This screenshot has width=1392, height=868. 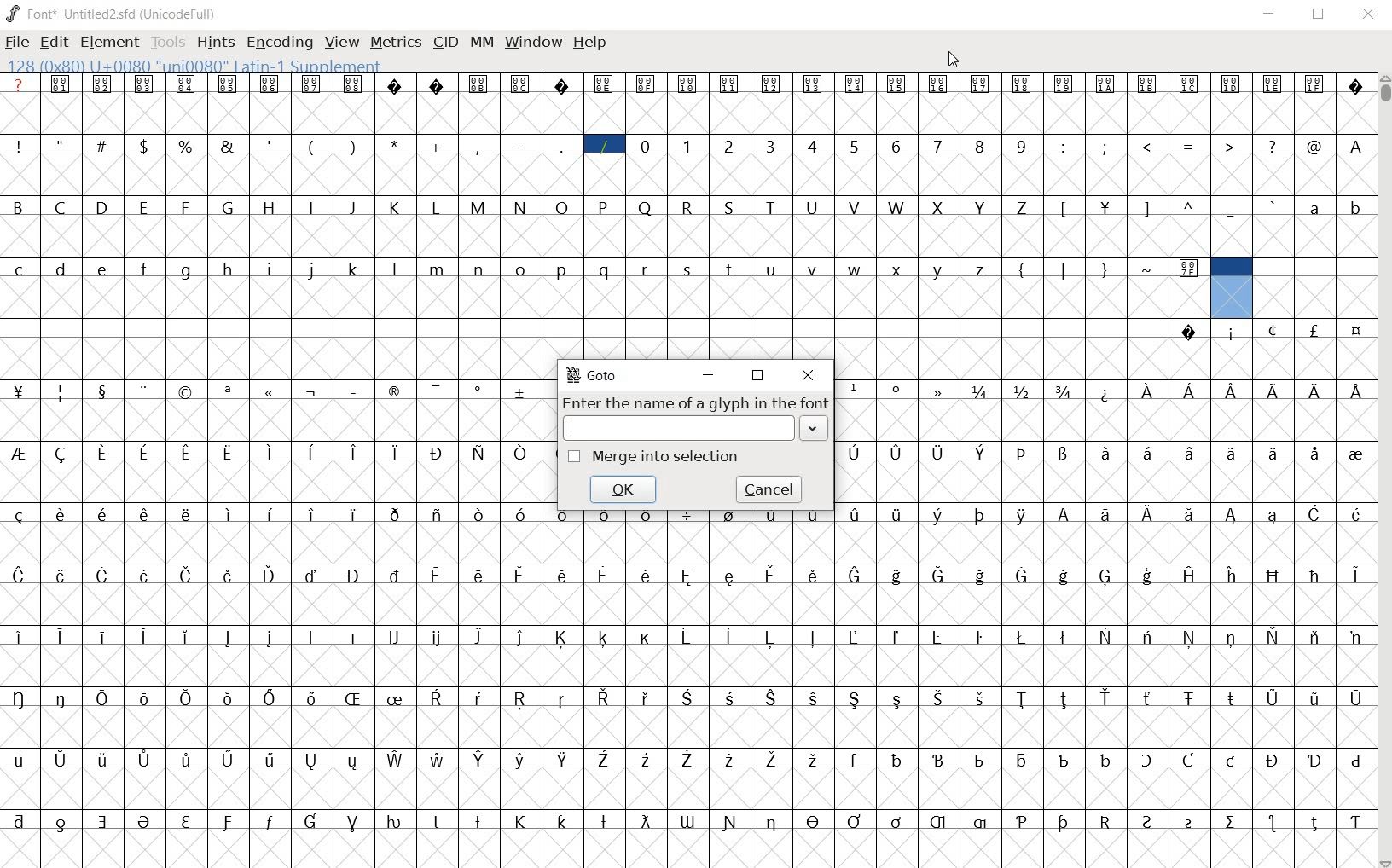 I want to click on Symbol, so click(x=981, y=453).